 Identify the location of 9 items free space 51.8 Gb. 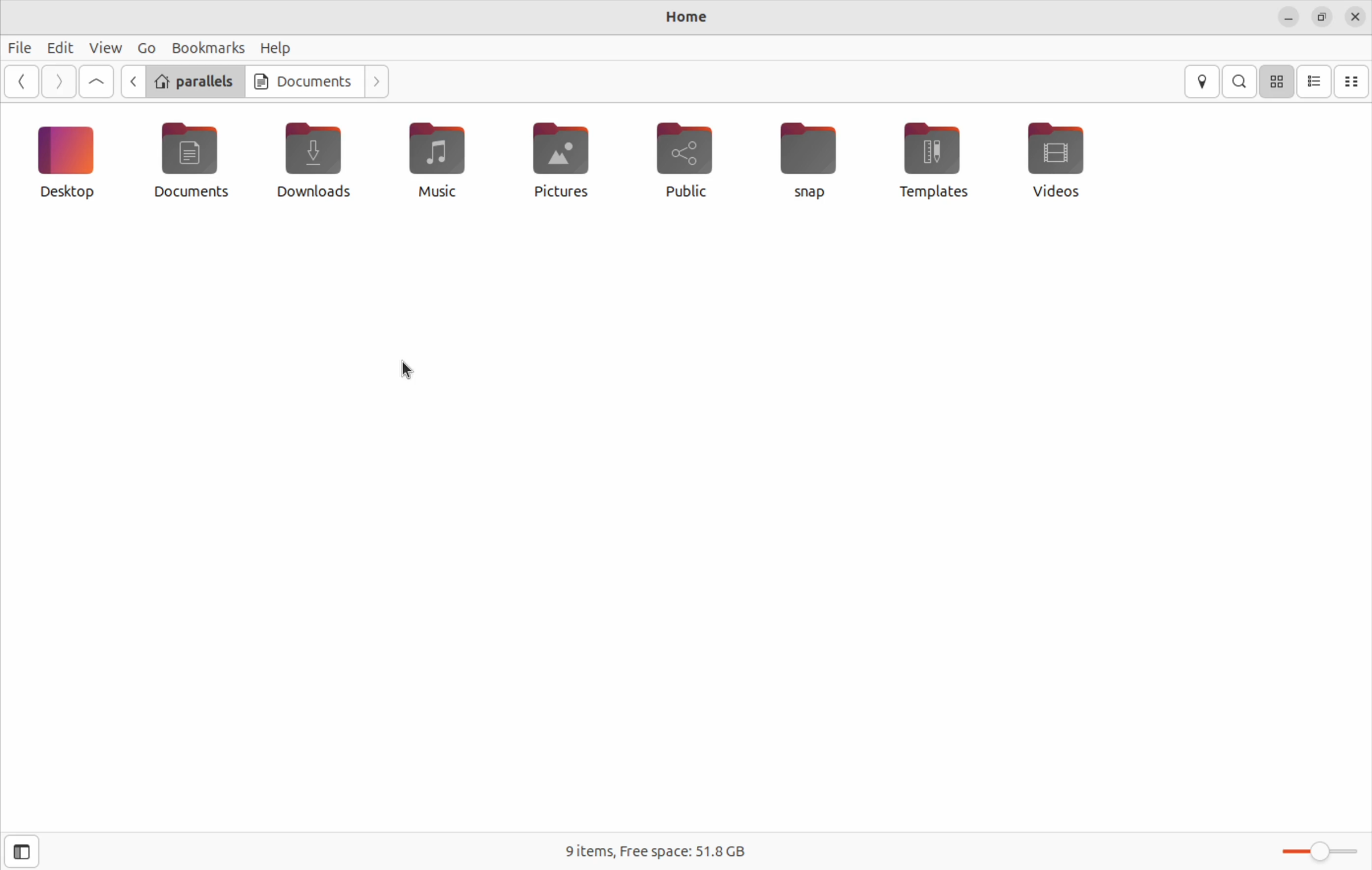
(670, 851).